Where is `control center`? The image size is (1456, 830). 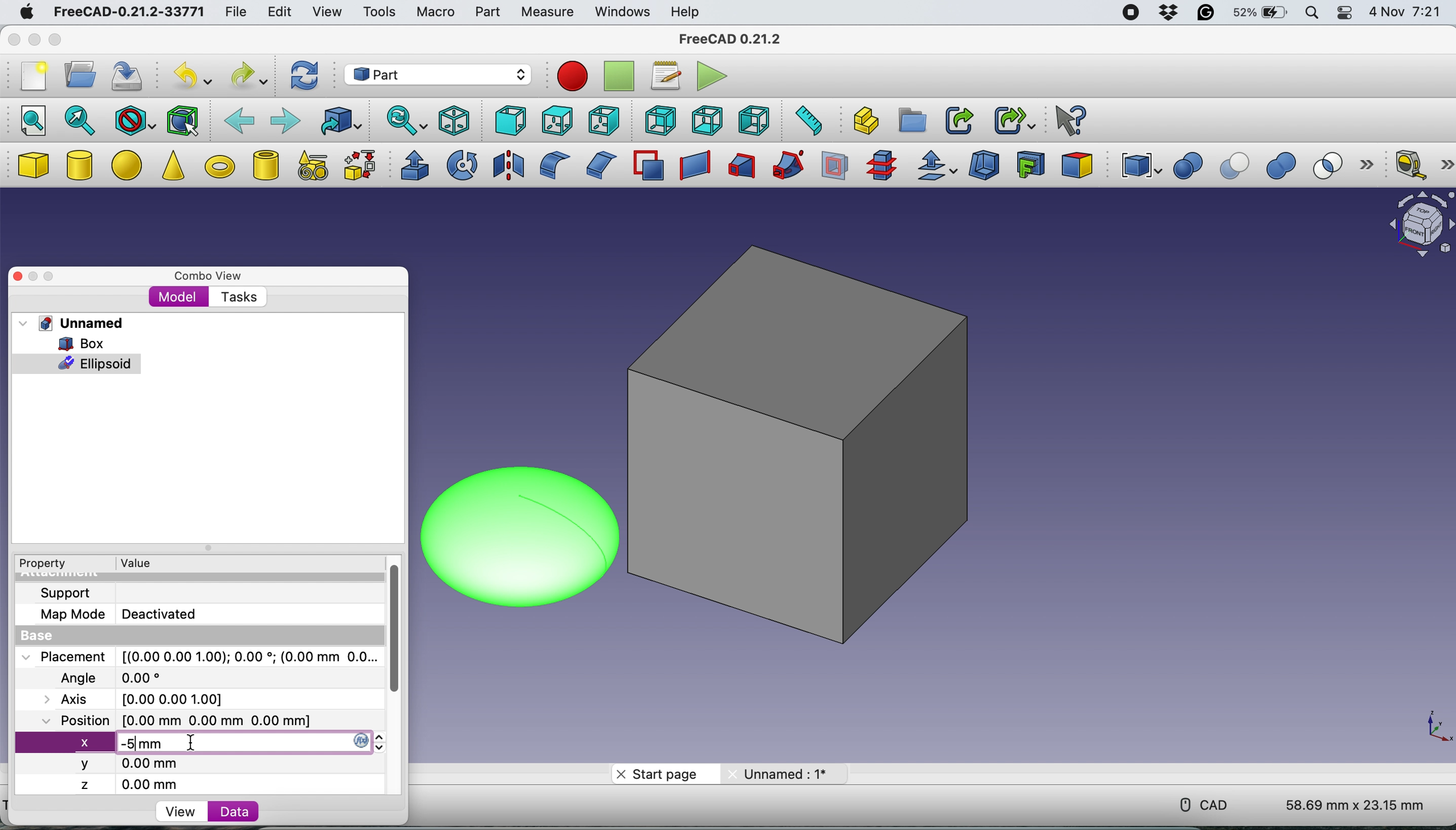 control center is located at coordinates (1345, 13).